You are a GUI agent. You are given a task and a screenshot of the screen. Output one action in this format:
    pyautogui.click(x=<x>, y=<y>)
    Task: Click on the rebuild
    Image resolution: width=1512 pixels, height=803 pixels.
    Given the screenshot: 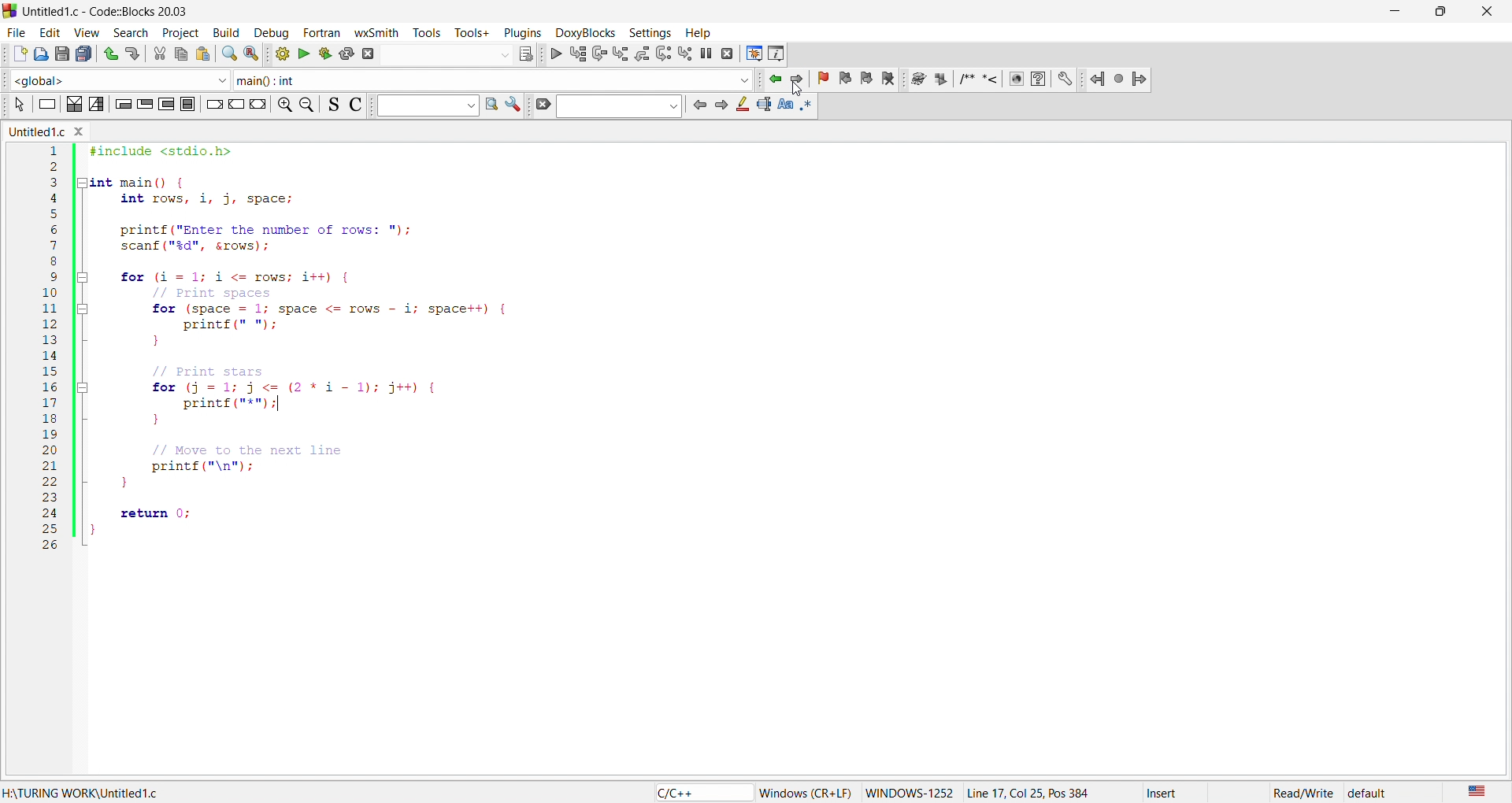 What is the action you would take?
    pyautogui.click(x=343, y=54)
    